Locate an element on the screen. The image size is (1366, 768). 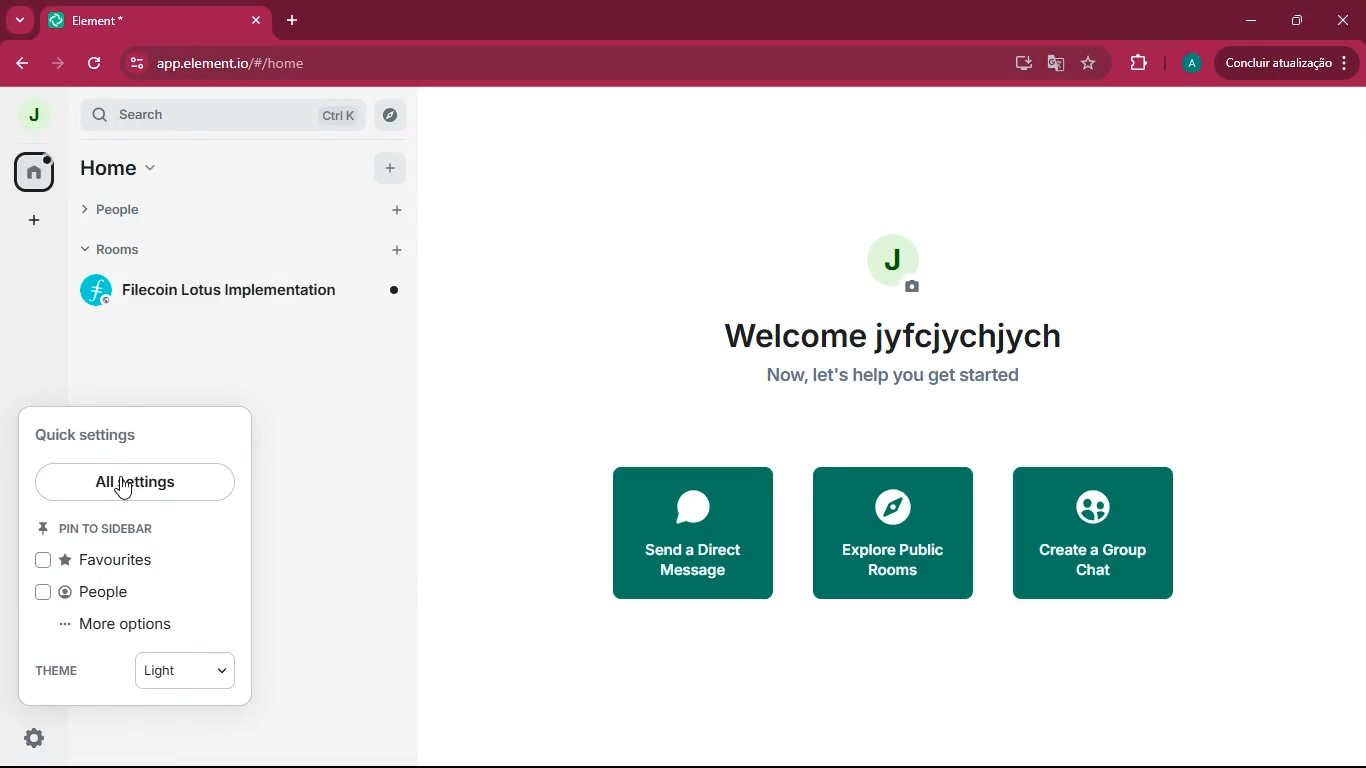
favourites is located at coordinates (120, 561).